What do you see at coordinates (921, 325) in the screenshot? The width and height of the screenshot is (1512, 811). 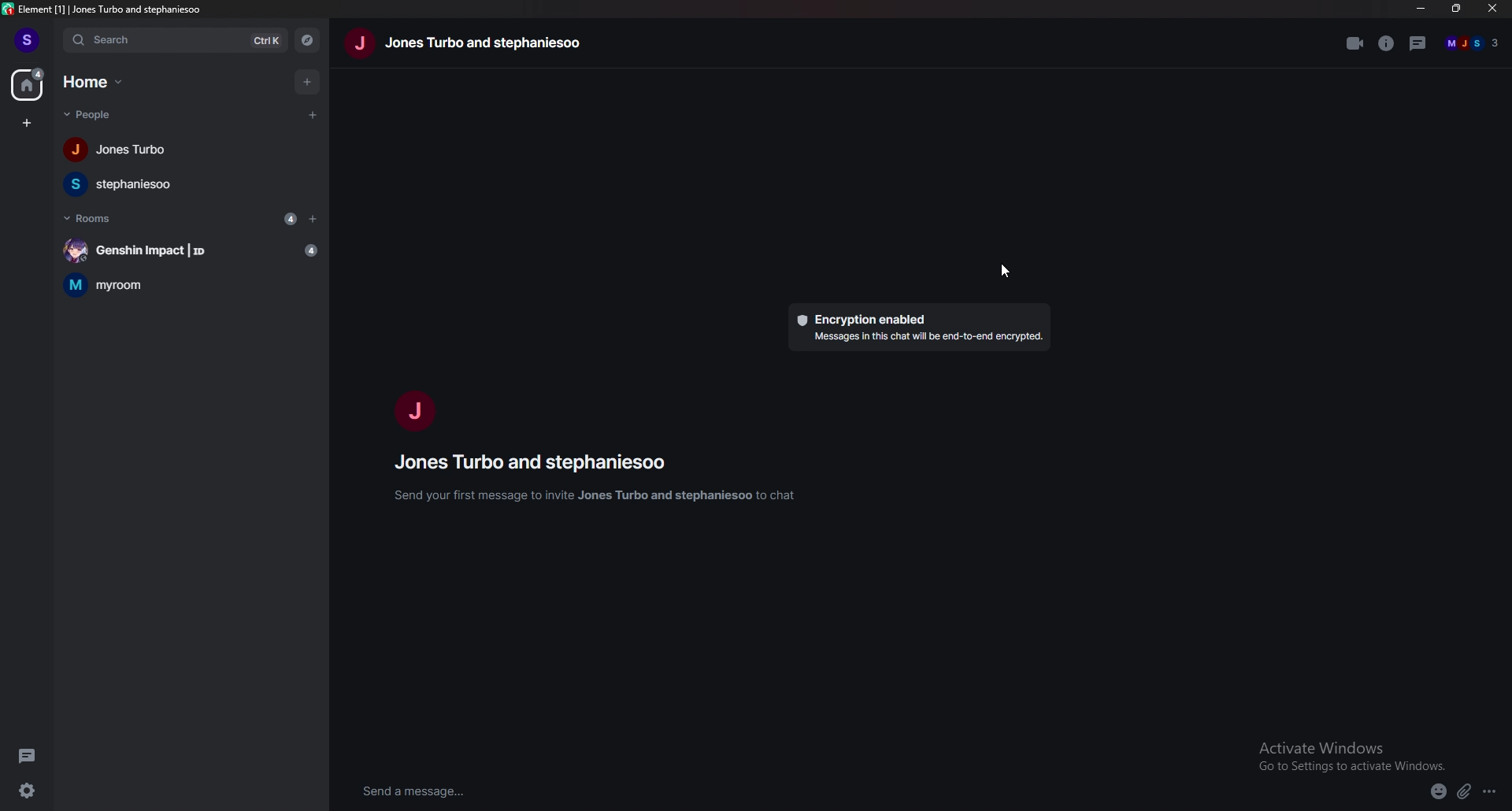 I see `Encryption enabled Messages in the chat will be end-to-end encrypted.` at bounding box center [921, 325].